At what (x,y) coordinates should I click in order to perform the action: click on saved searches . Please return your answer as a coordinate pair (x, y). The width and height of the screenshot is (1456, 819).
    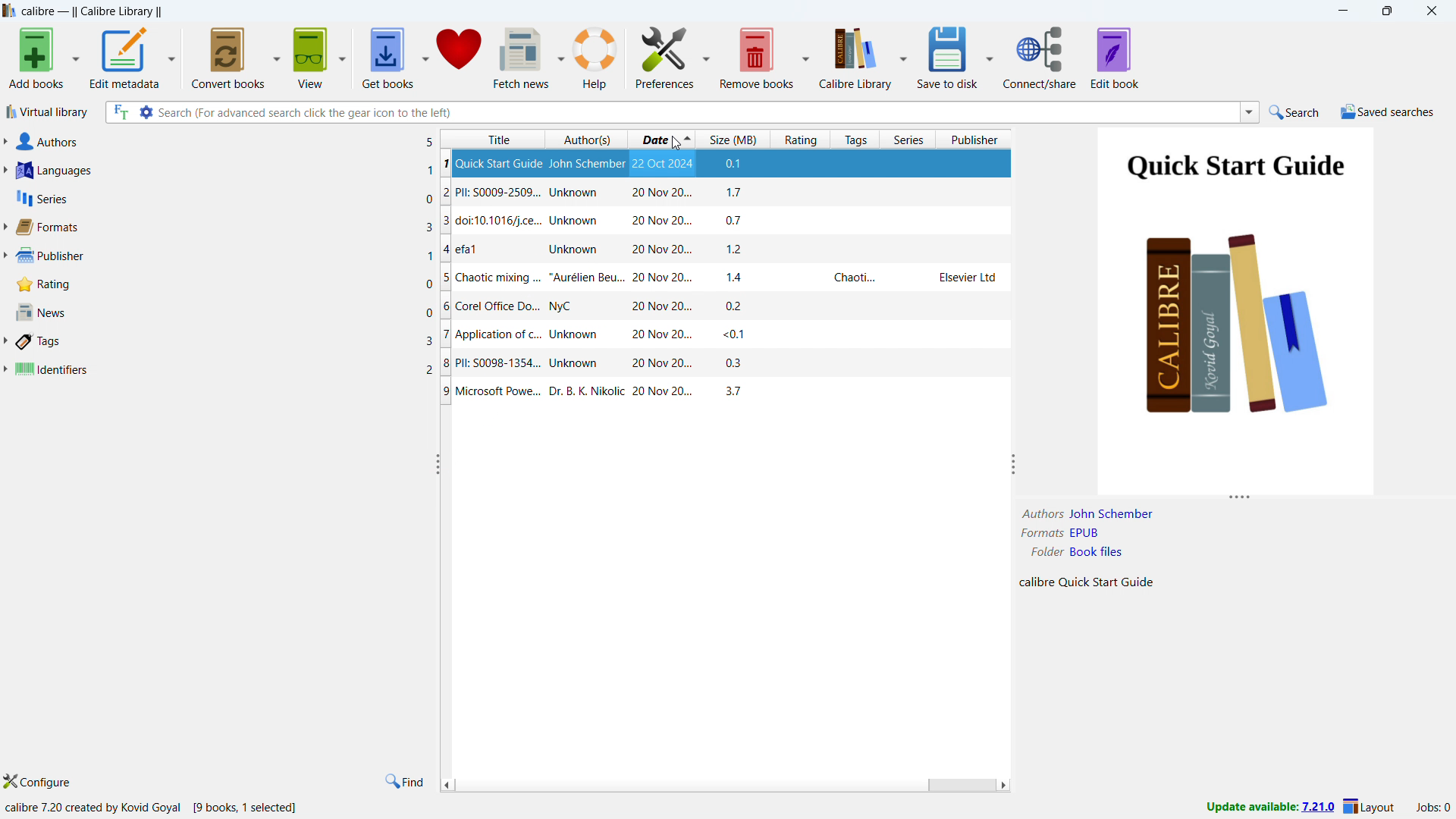
    Looking at the image, I should click on (1389, 111).